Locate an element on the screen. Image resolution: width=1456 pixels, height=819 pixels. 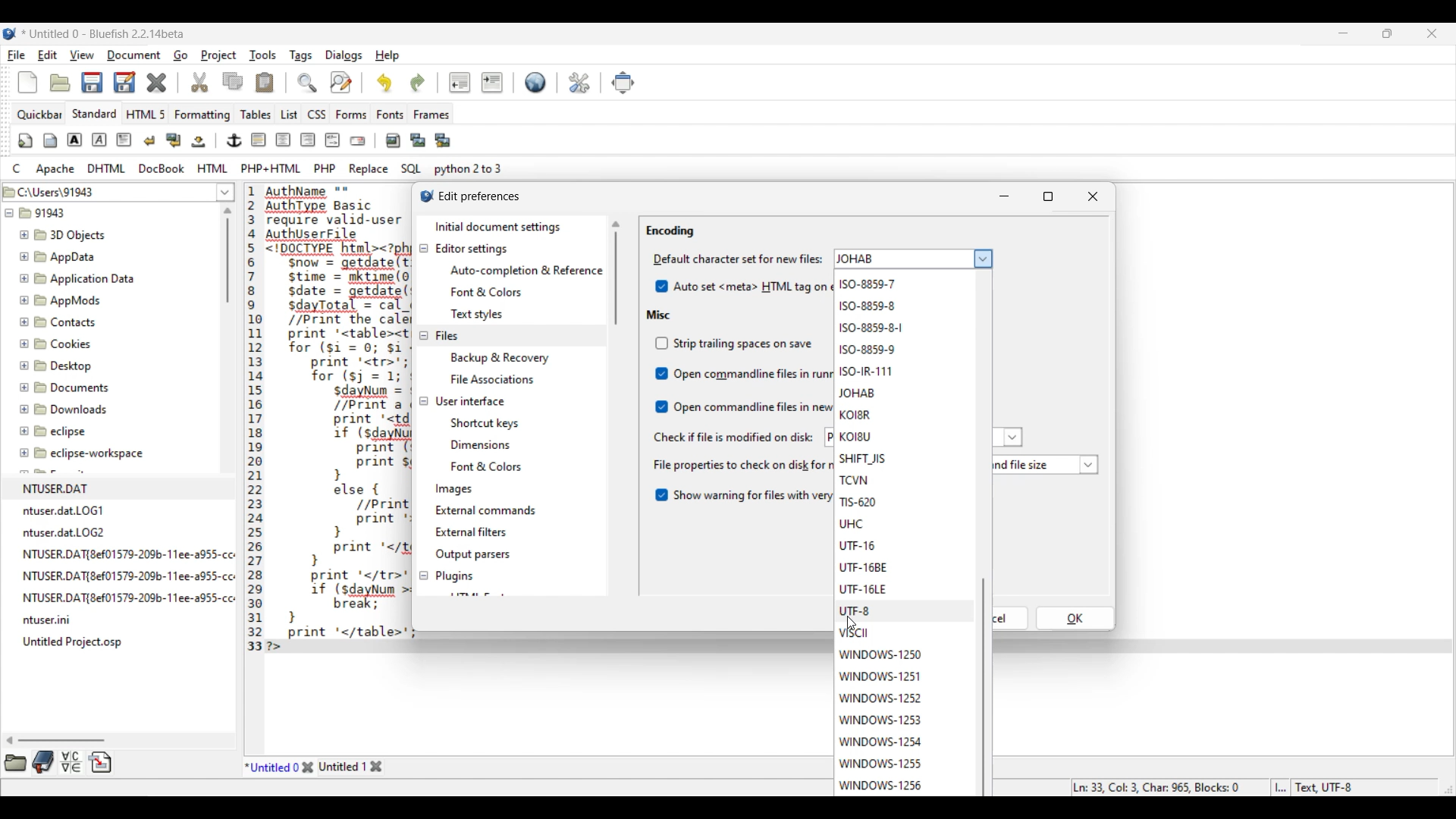
Redo is located at coordinates (418, 83).